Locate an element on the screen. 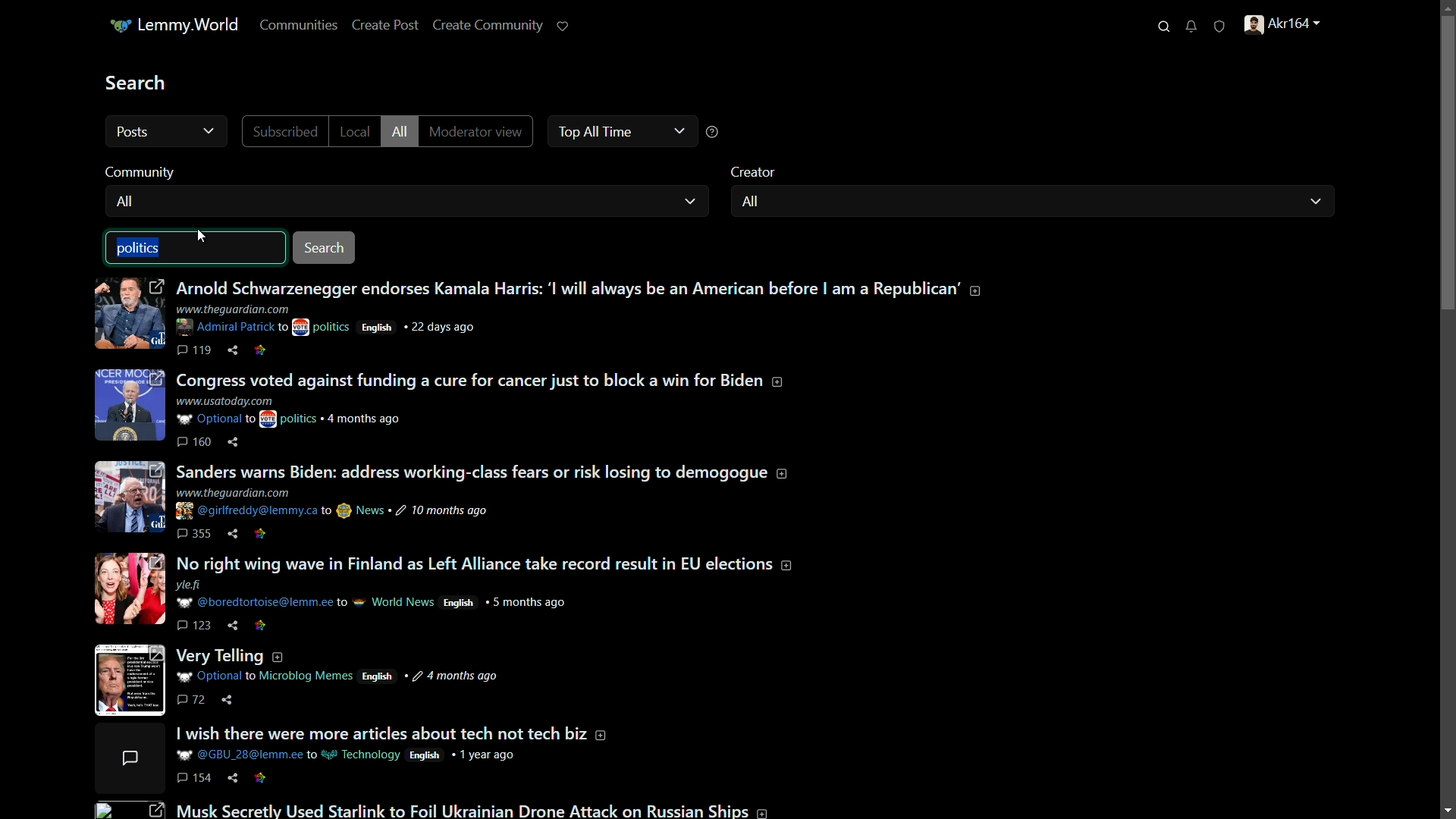  all is located at coordinates (129, 203).